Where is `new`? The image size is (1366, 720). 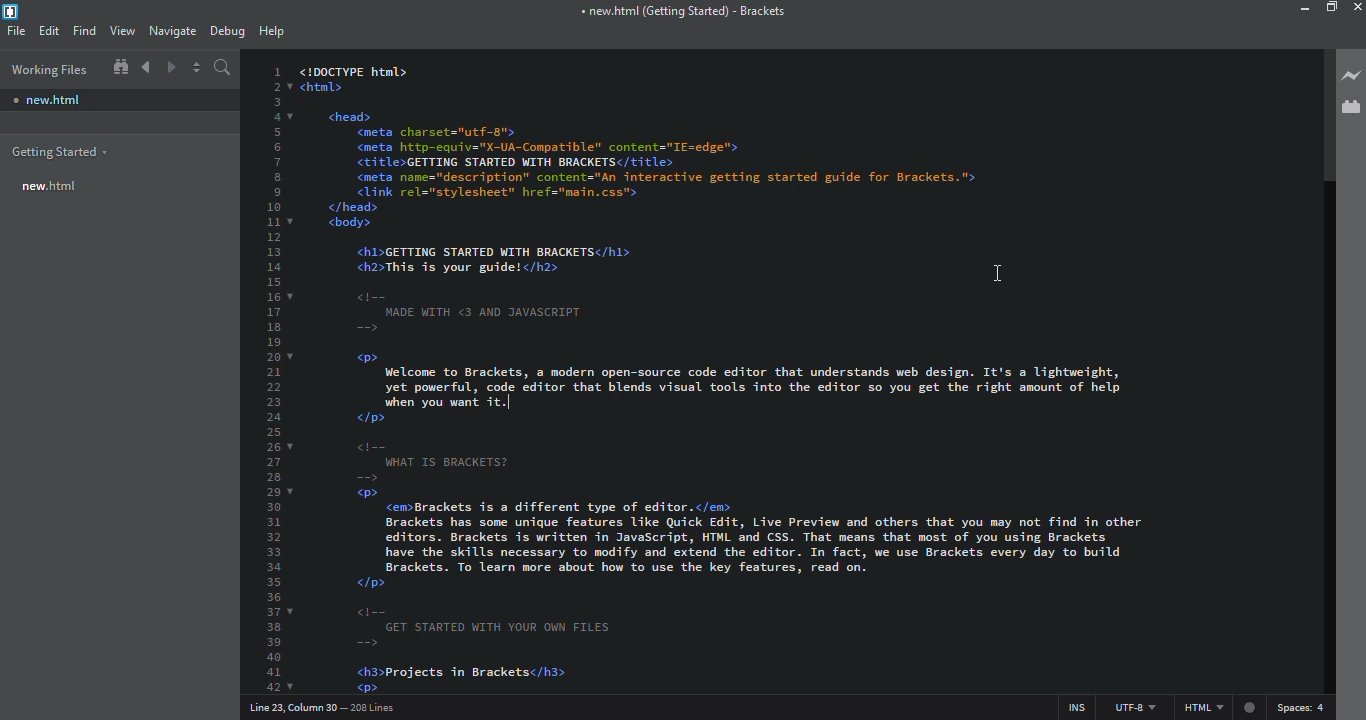 new is located at coordinates (51, 185).